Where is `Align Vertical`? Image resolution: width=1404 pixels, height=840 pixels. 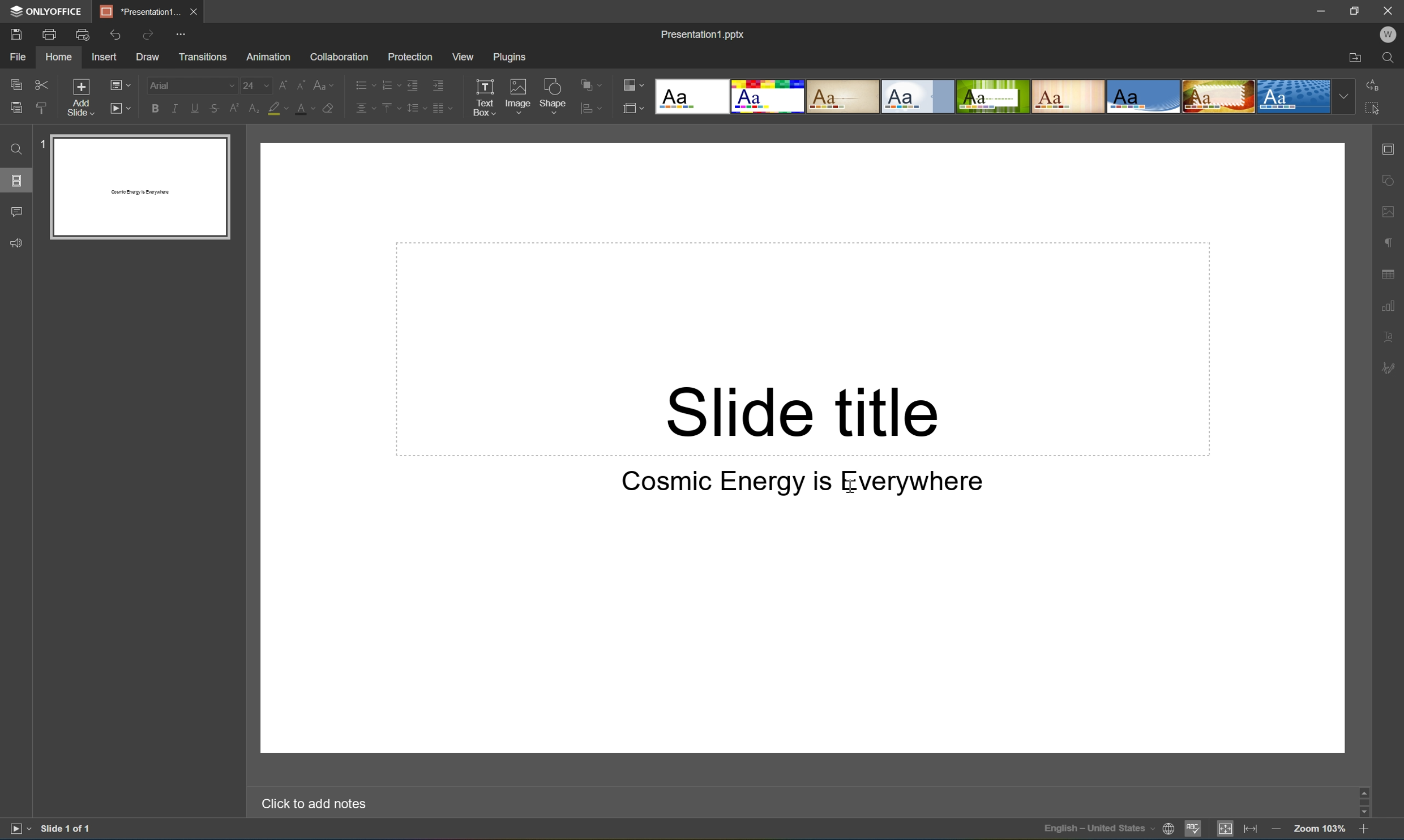 Align Vertical is located at coordinates (389, 108).